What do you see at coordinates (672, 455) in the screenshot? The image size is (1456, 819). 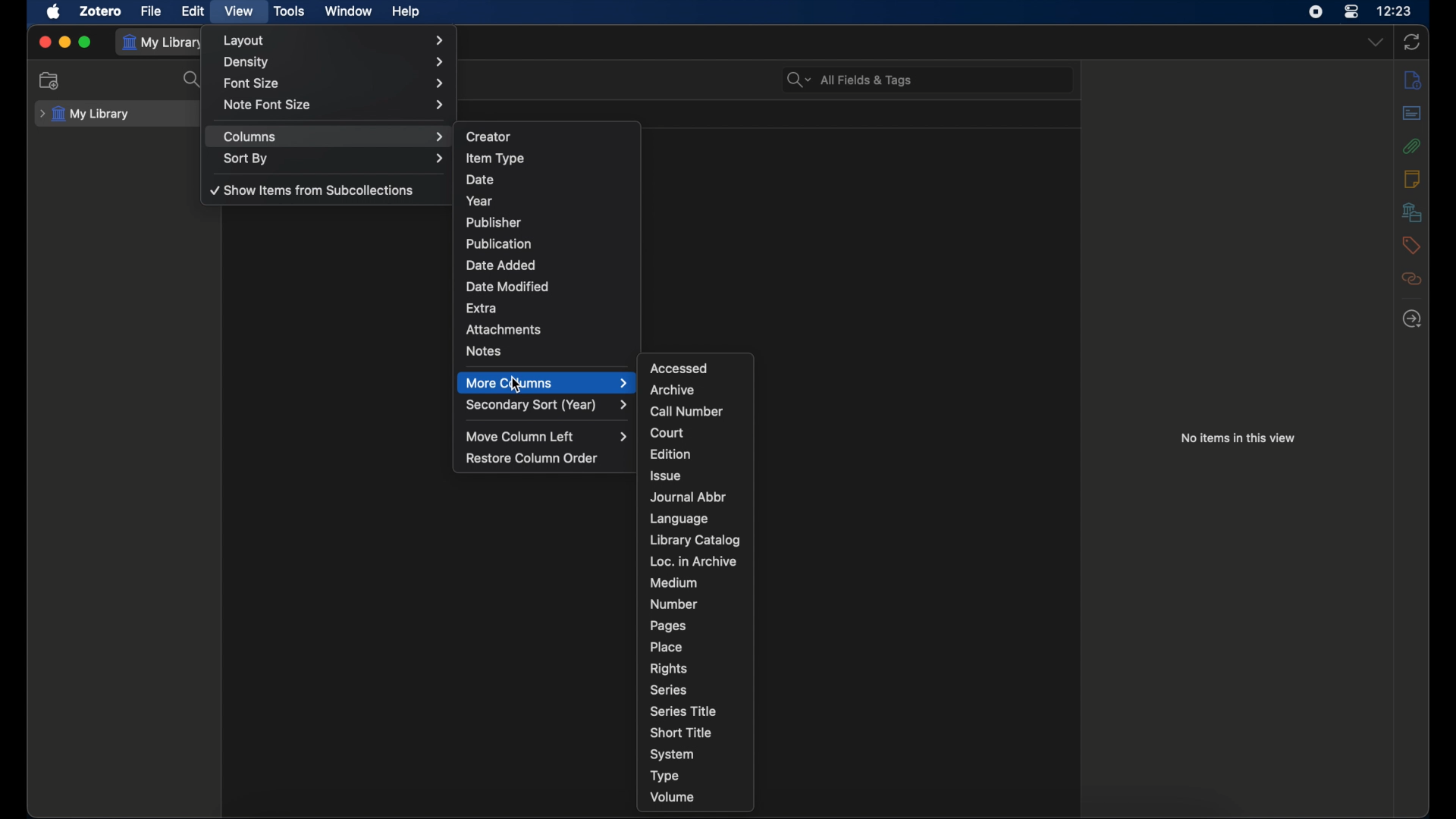 I see `edition` at bounding box center [672, 455].